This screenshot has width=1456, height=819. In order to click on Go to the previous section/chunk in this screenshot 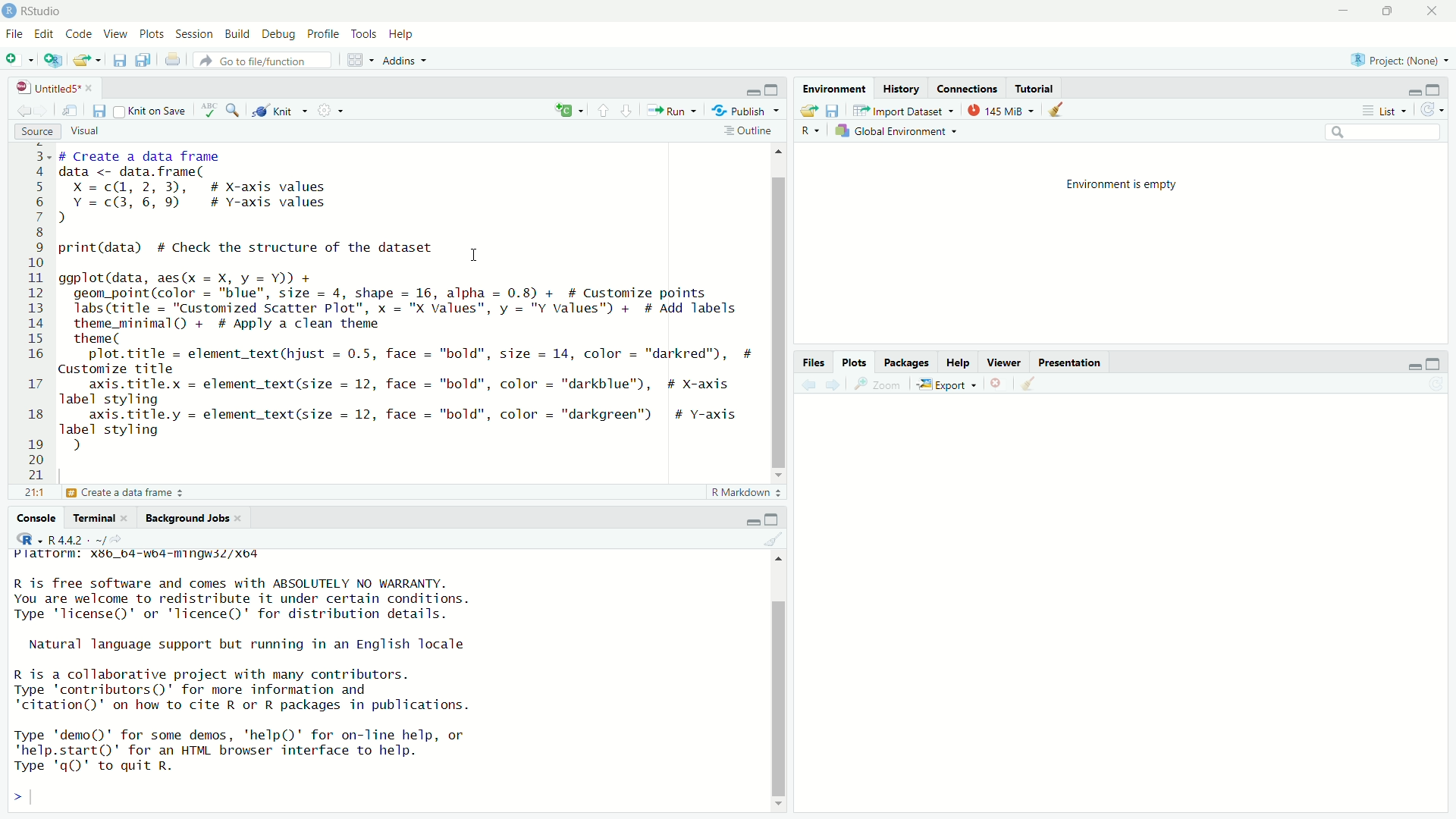, I will do `click(604, 111)`.